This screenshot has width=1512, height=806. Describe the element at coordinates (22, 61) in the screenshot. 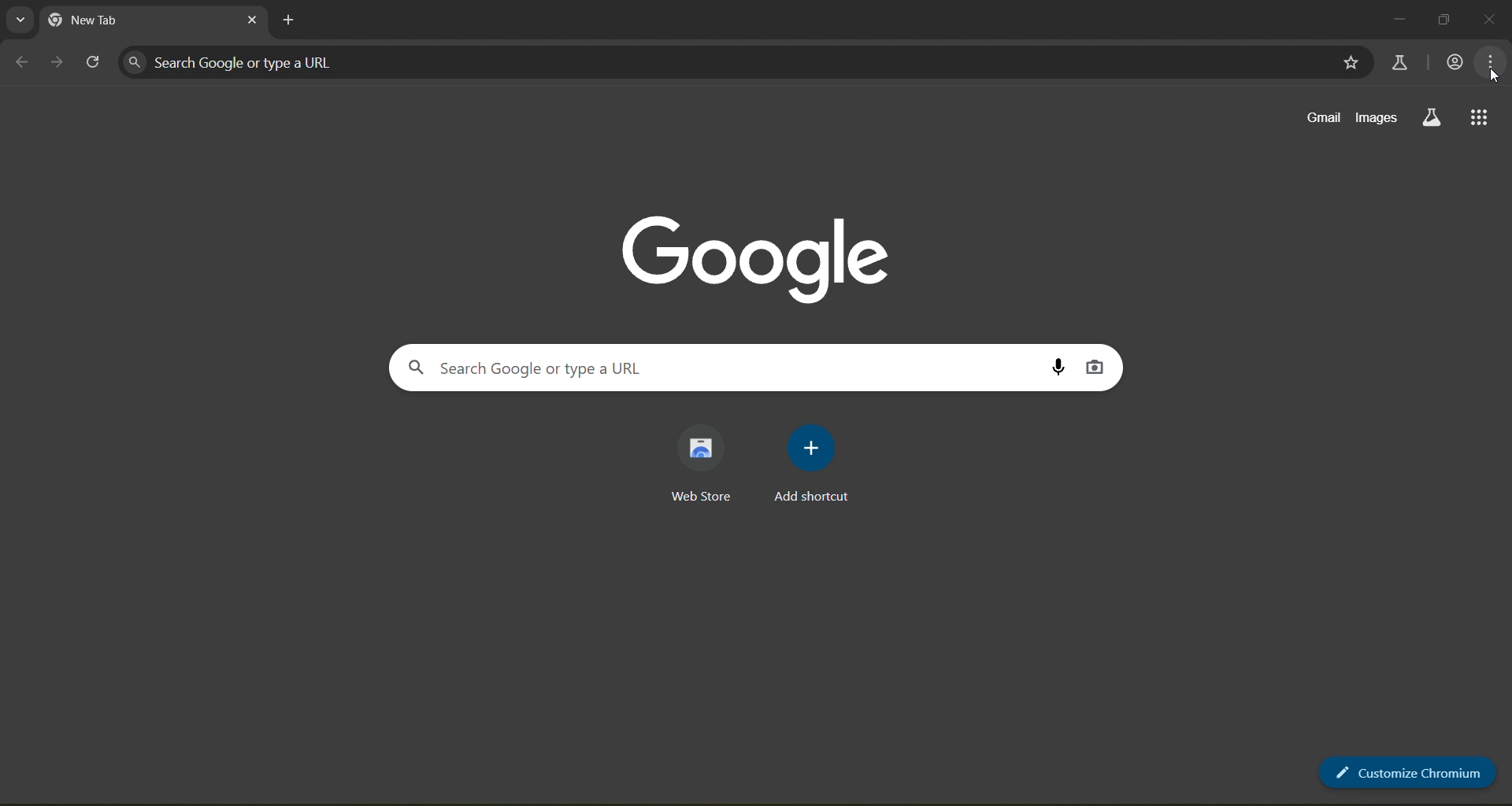

I see `go back one page` at that location.